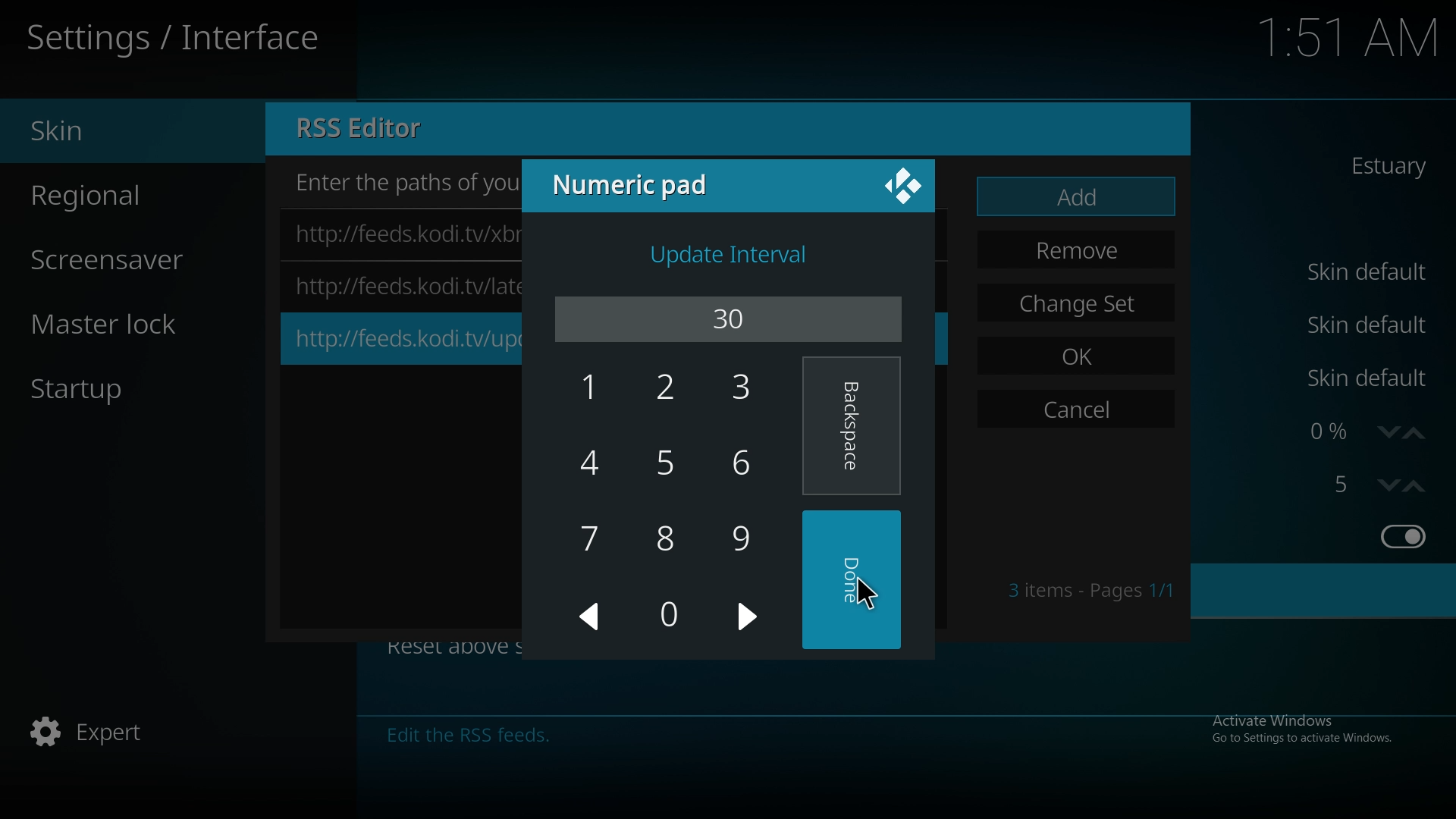 Image resolution: width=1456 pixels, height=819 pixels. Describe the element at coordinates (660, 463) in the screenshot. I see `5` at that location.